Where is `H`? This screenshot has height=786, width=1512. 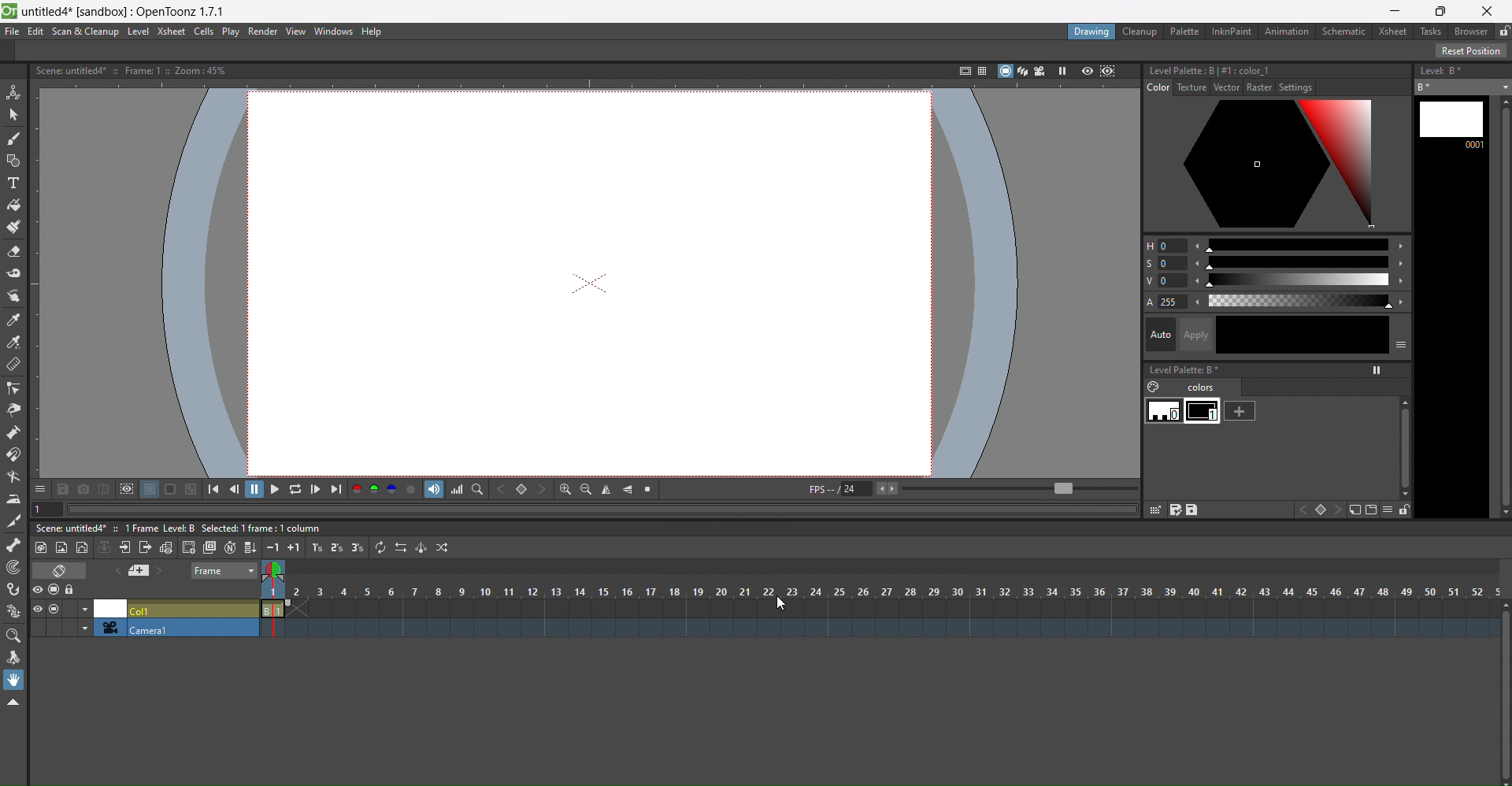 H is located at coordinates (1297, 245).